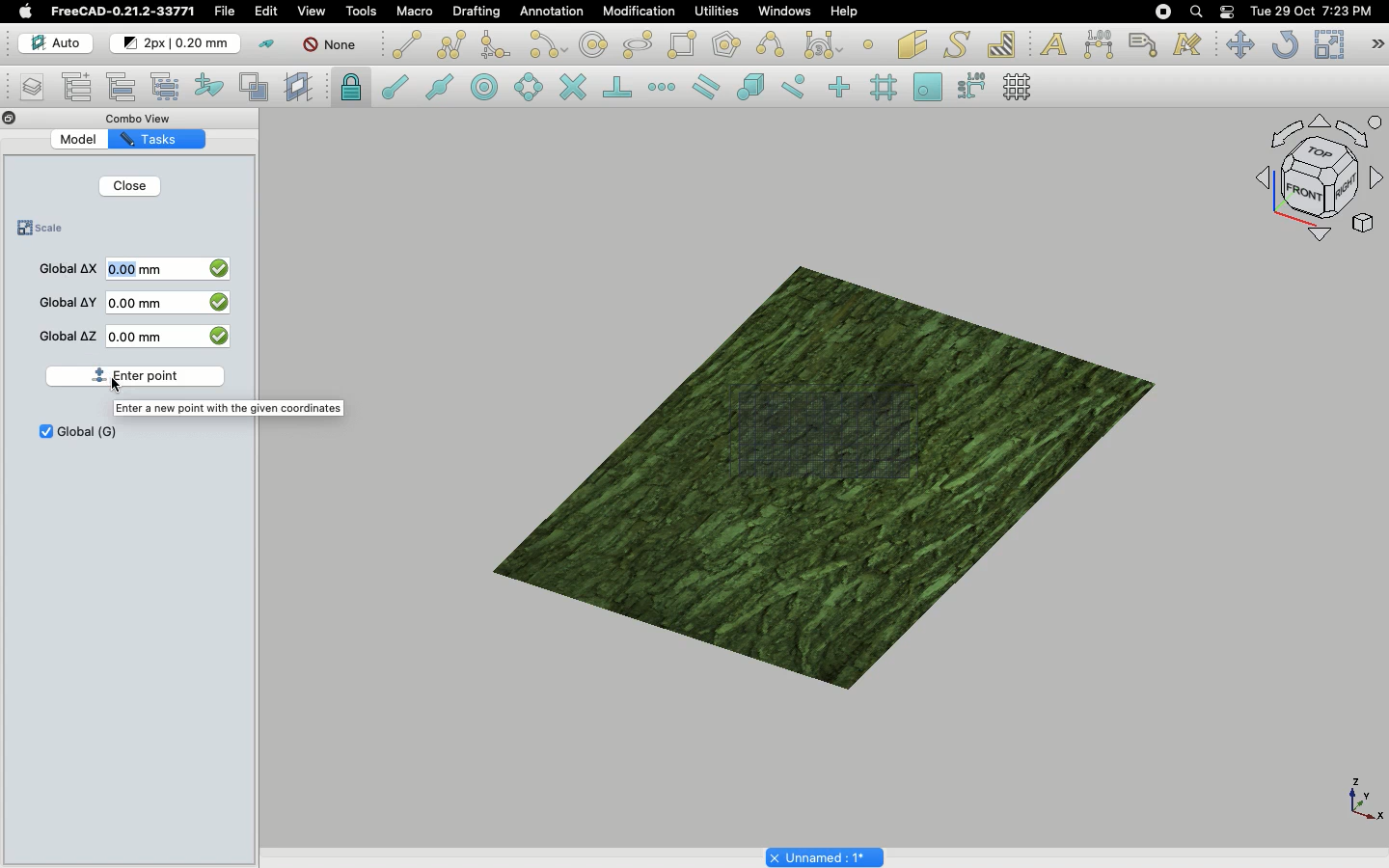  Describe the element at coordinates (25, 11) in the screenshot. I see `Apple logo` at that location.